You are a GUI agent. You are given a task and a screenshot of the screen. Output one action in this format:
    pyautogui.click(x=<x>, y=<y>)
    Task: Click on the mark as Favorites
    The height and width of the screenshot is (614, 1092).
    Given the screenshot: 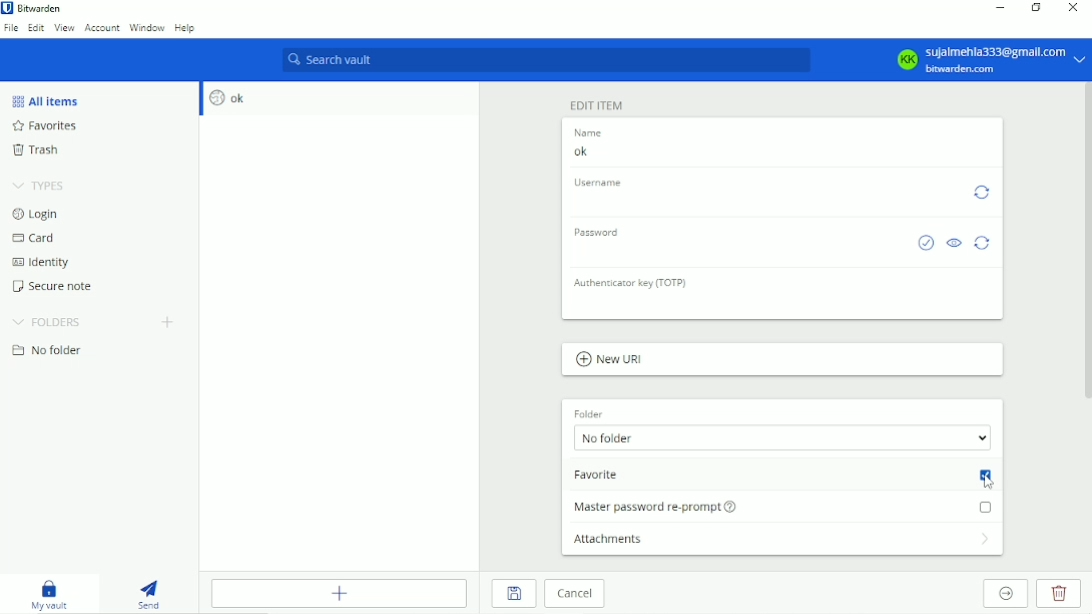 What is the action you would take?
    pyautogui.click(x=783, y=476)
    